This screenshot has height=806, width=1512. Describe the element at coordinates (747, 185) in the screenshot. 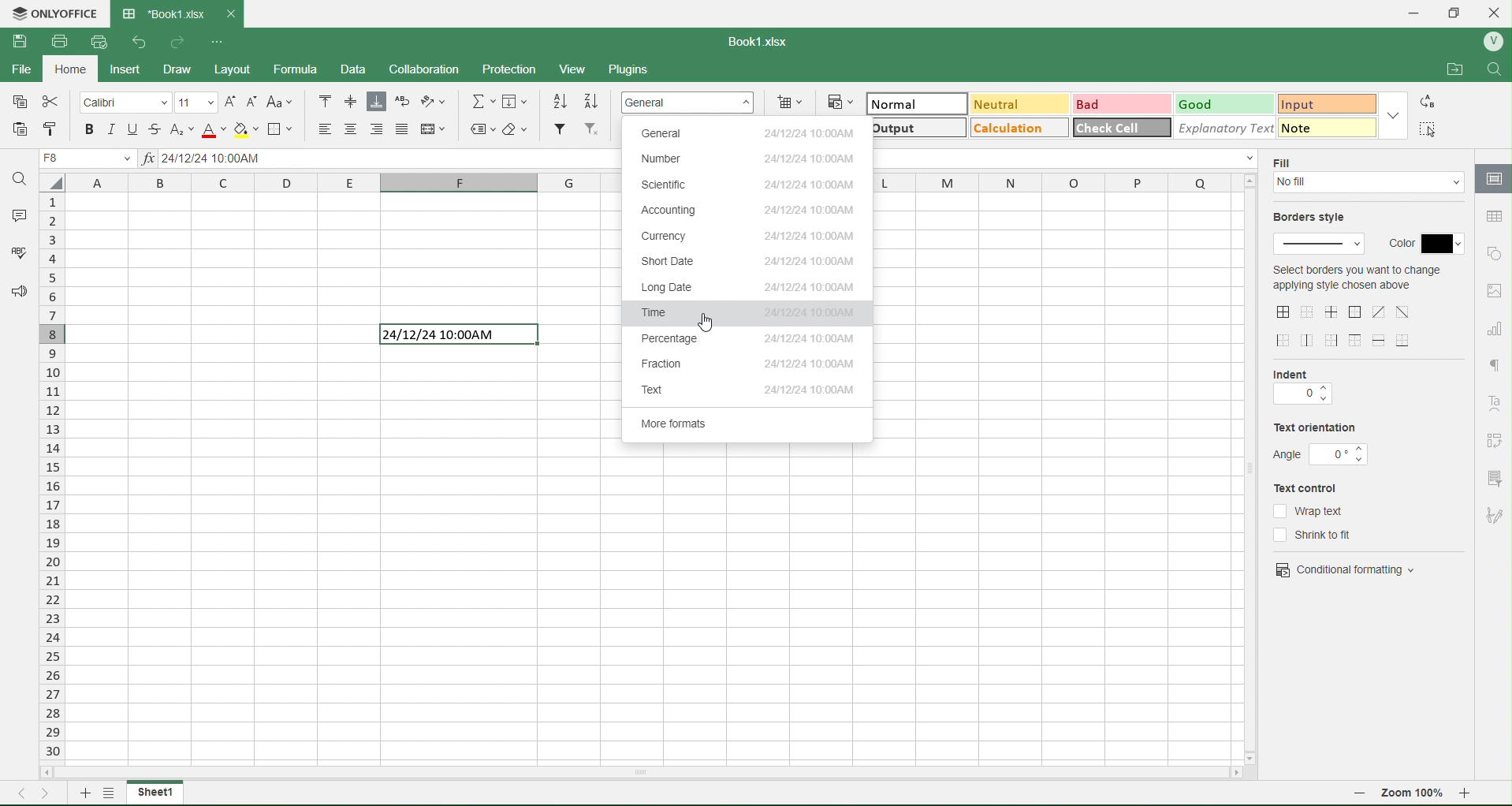

I see `Scientific` at that location.